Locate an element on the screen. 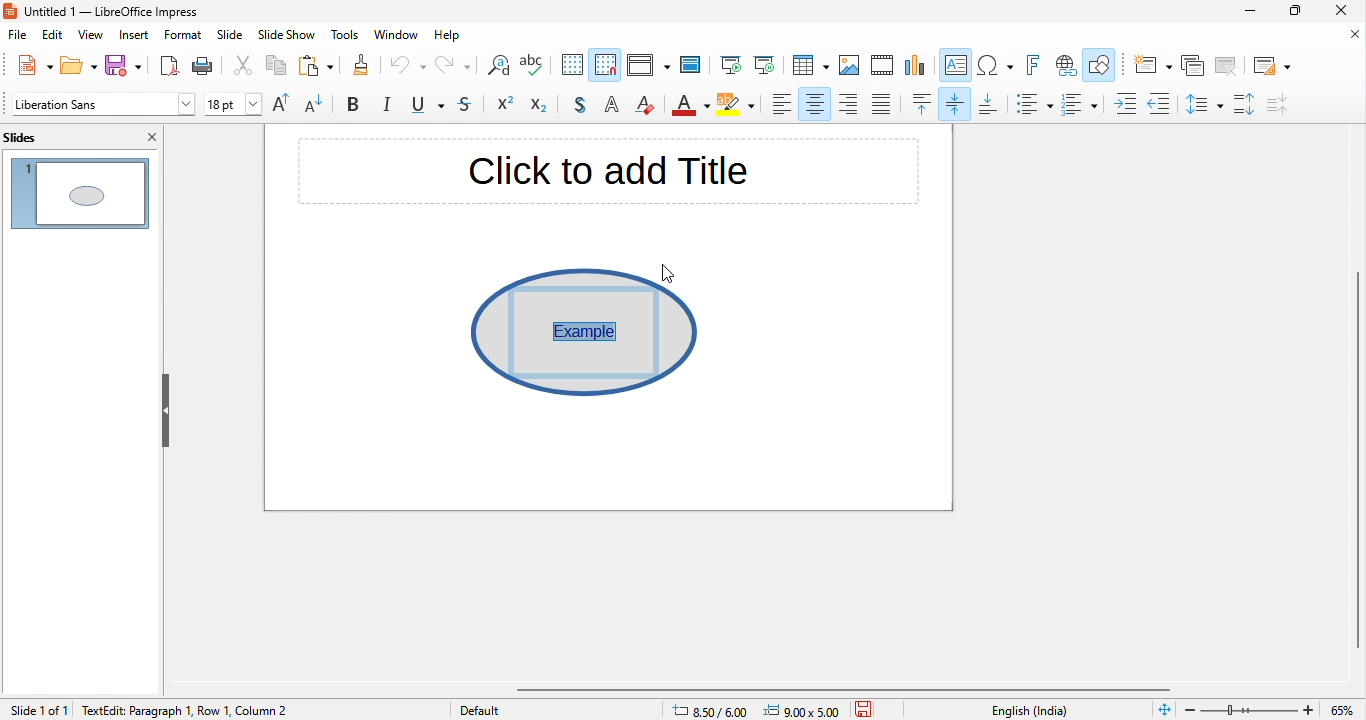 This screenshot has height=720, width=1366. toggle shadow is located at coordinates (578, 106).